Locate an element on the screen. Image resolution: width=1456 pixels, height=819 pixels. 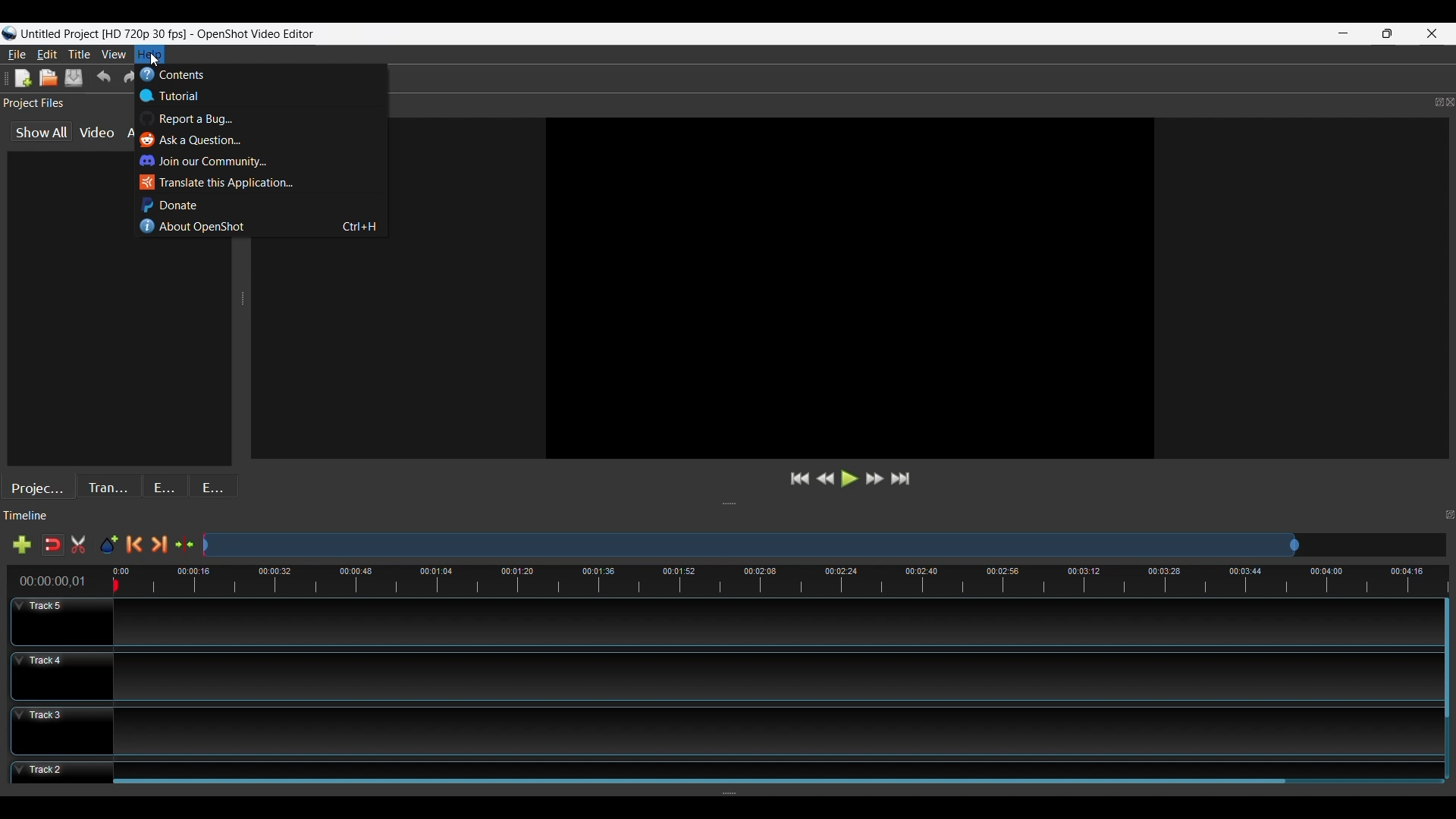
Zoom Slider is located at coordinates (824, 544).